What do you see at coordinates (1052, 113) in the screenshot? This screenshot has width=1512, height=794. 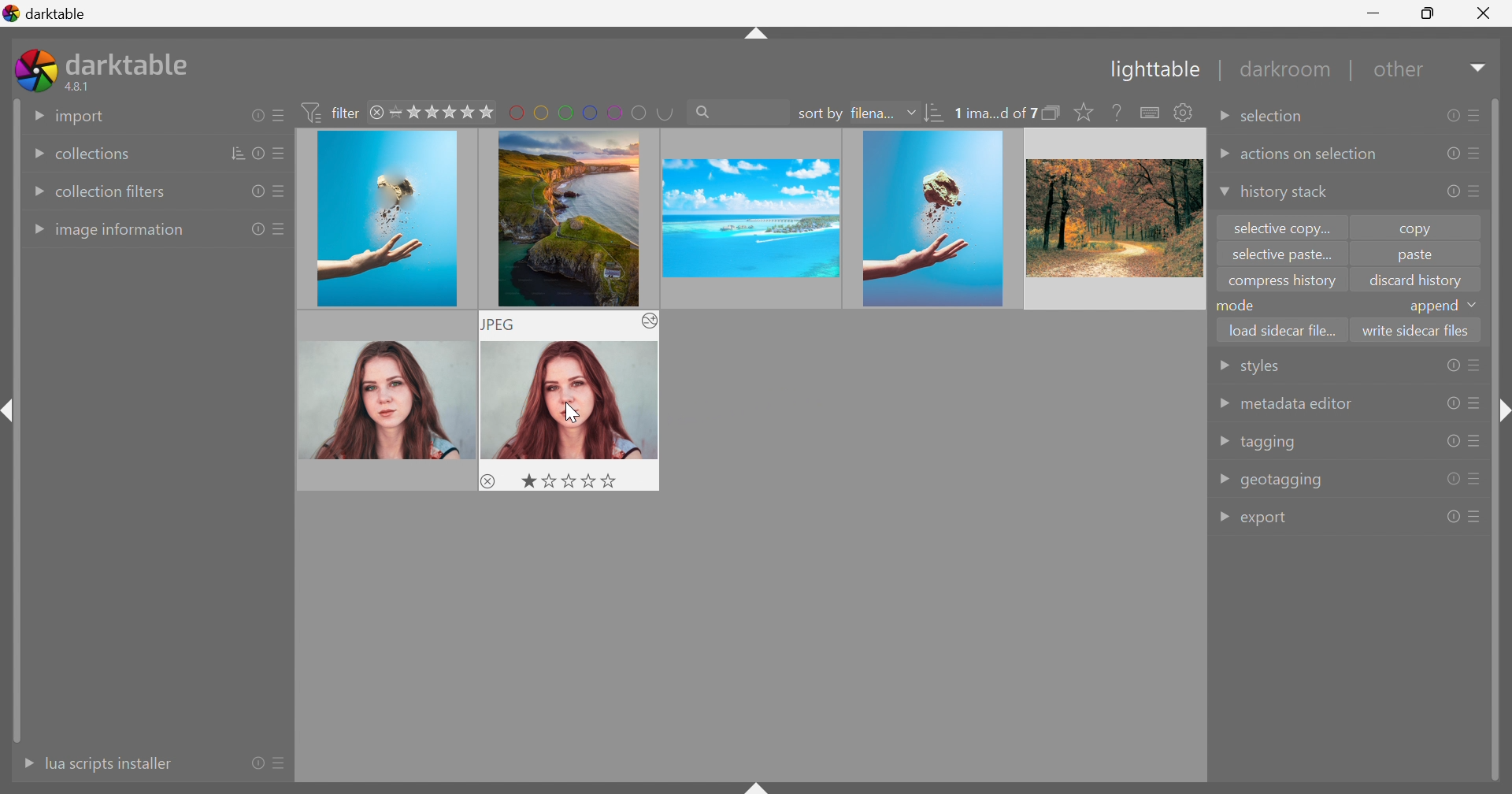 I see `collapse grouped images` at bounding box center [1052, 113].